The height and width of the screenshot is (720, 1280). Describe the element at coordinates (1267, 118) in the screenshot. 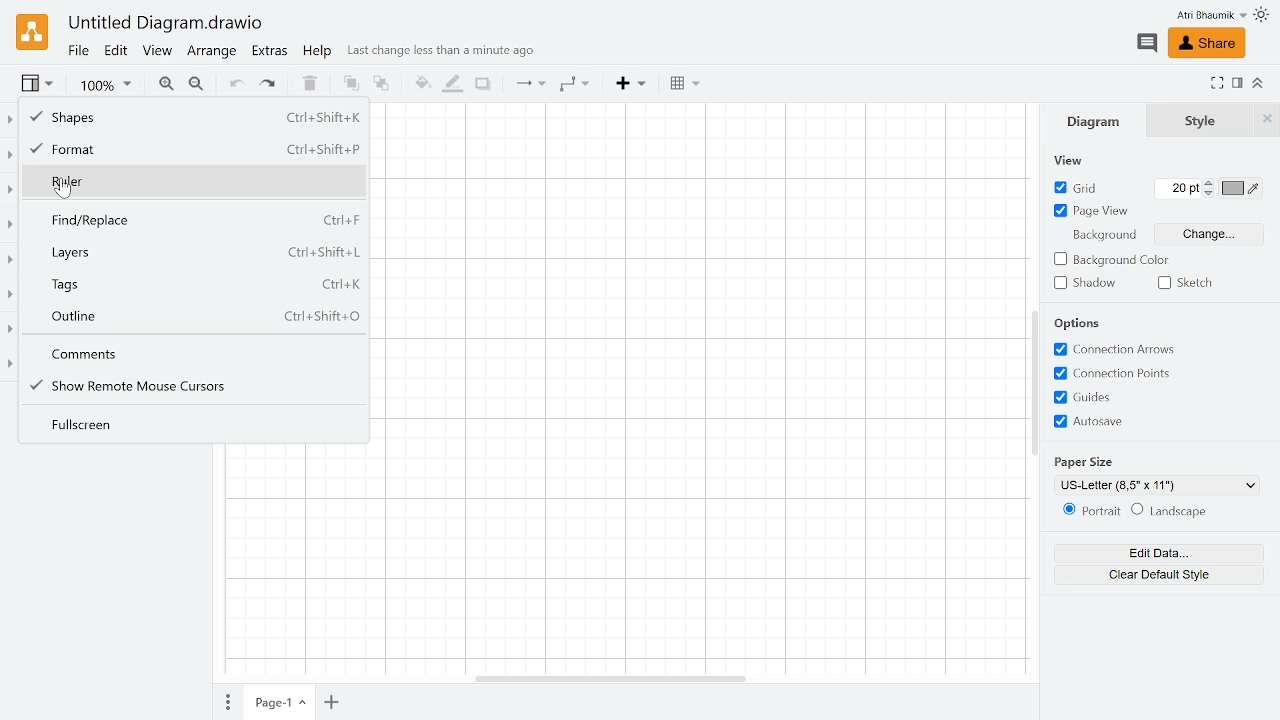

I see `Close` at that location.